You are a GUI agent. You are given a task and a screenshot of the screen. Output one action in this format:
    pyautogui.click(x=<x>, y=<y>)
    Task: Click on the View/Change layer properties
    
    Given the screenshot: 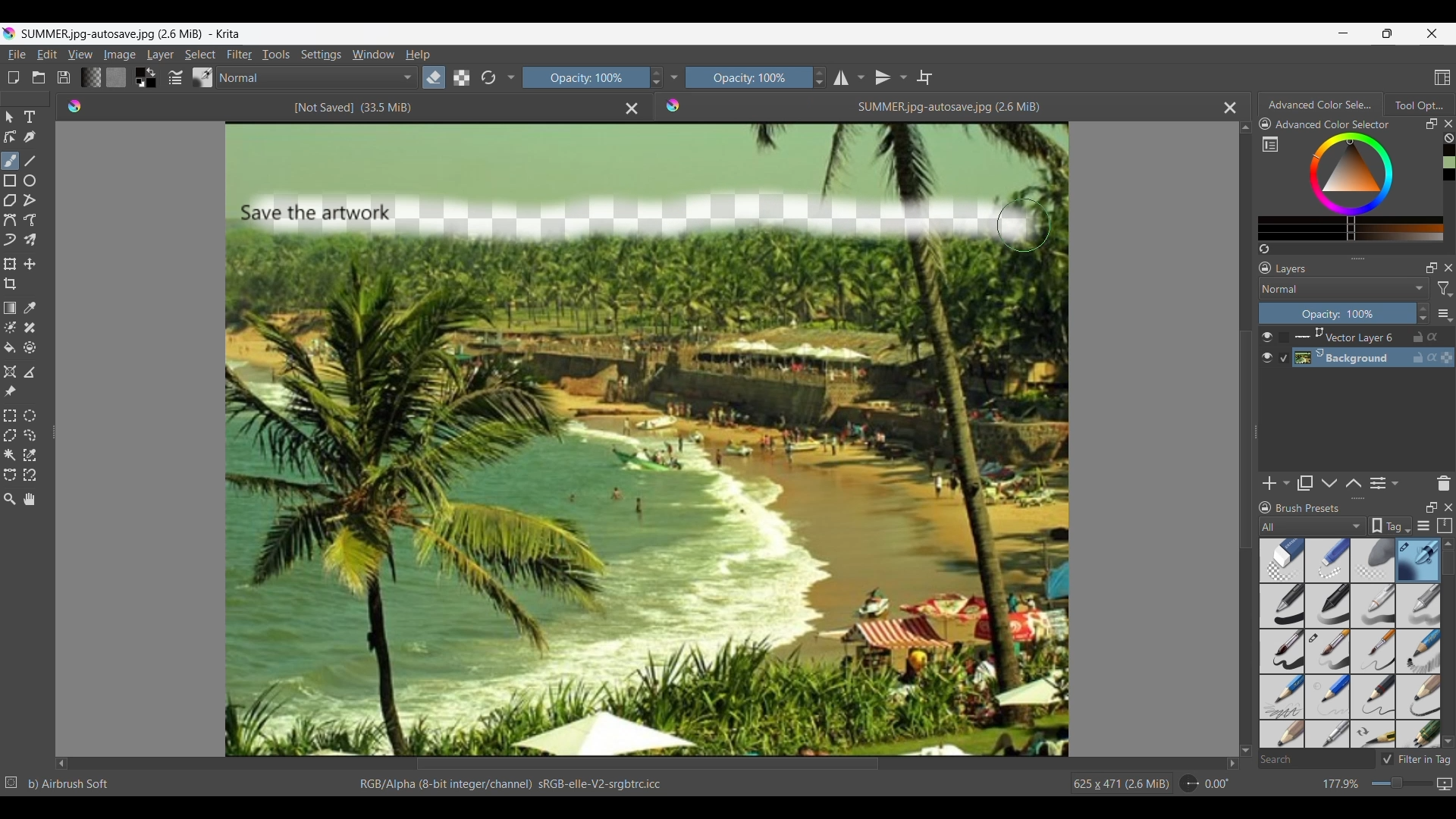 What is the action you would take?
    pyautogui.click(x=1385, y=483)
    